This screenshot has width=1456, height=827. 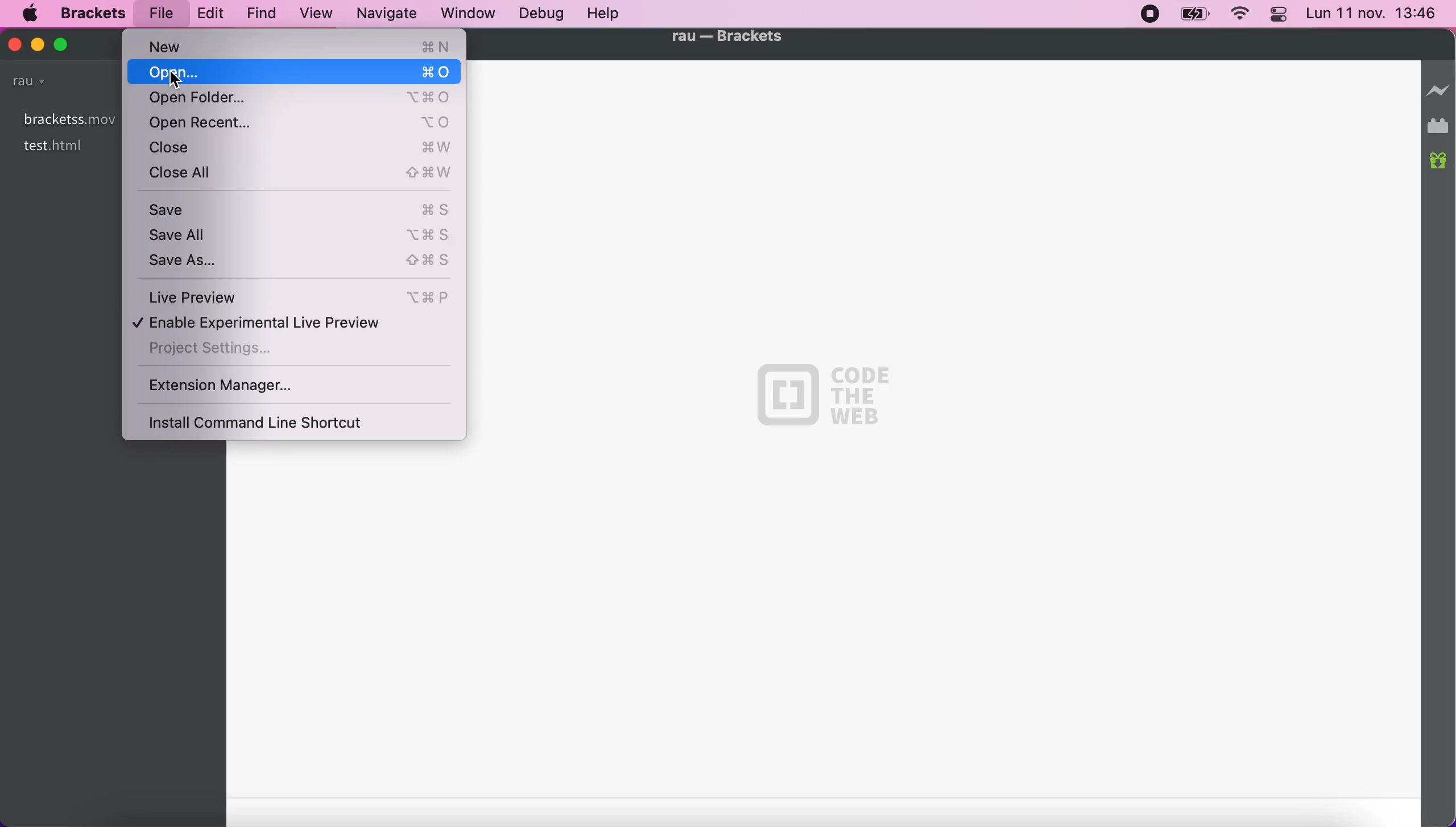 I want to click on new, so click(x=299, y=47).